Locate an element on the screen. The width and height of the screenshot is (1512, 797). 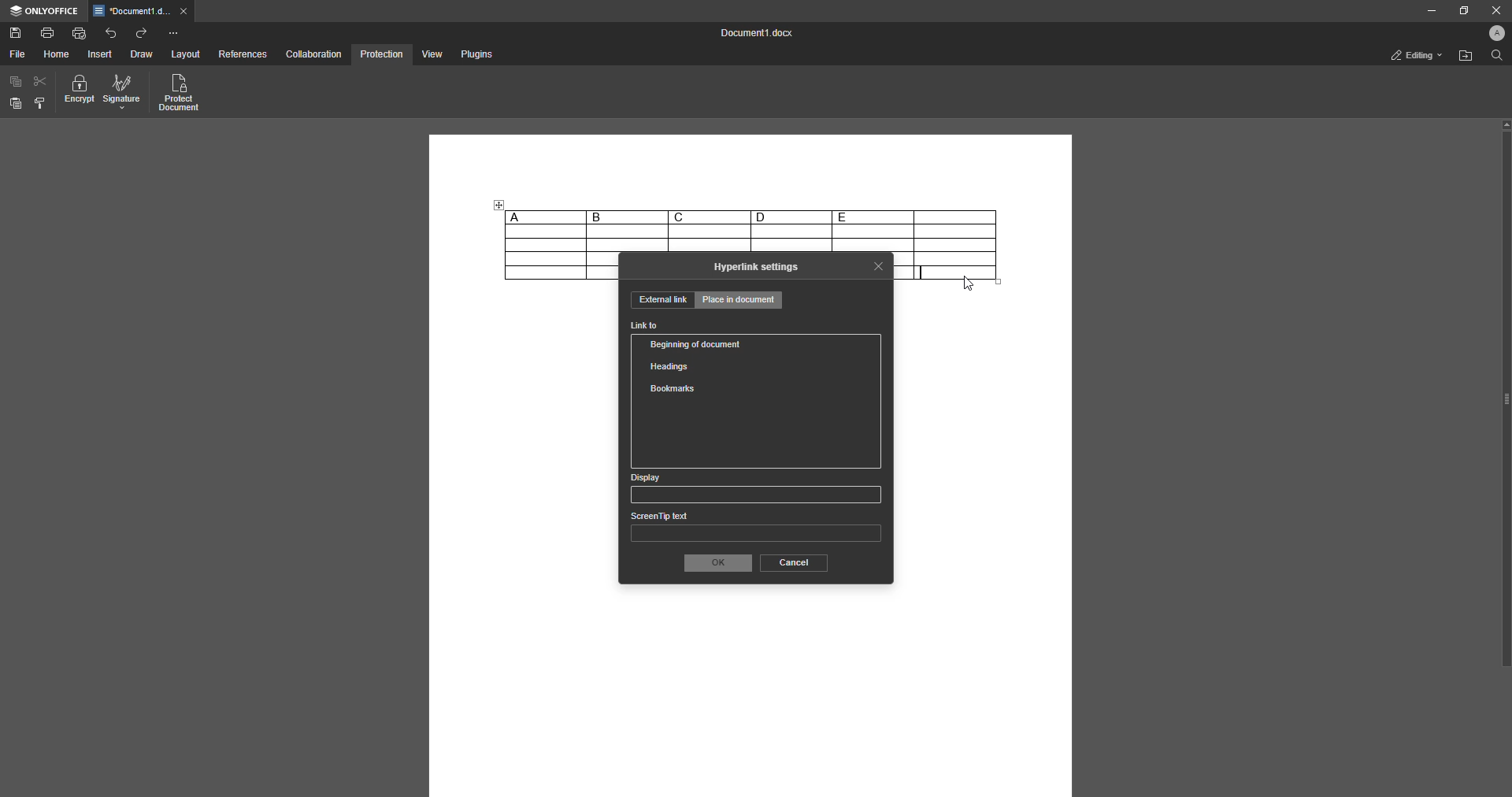
Restore is located at coordinates (1460, 10).